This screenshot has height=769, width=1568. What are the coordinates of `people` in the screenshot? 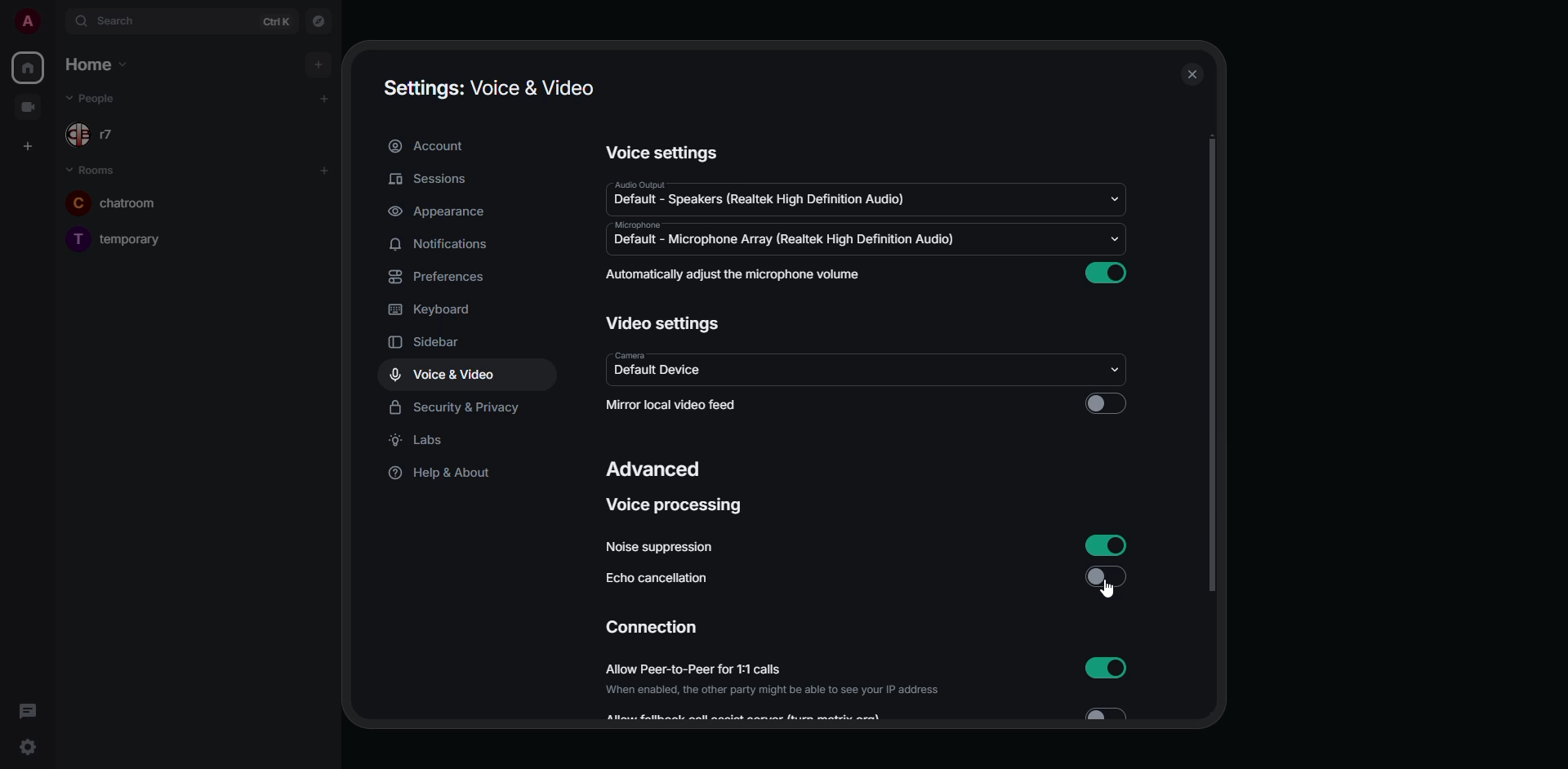 It's located at (105, 98).